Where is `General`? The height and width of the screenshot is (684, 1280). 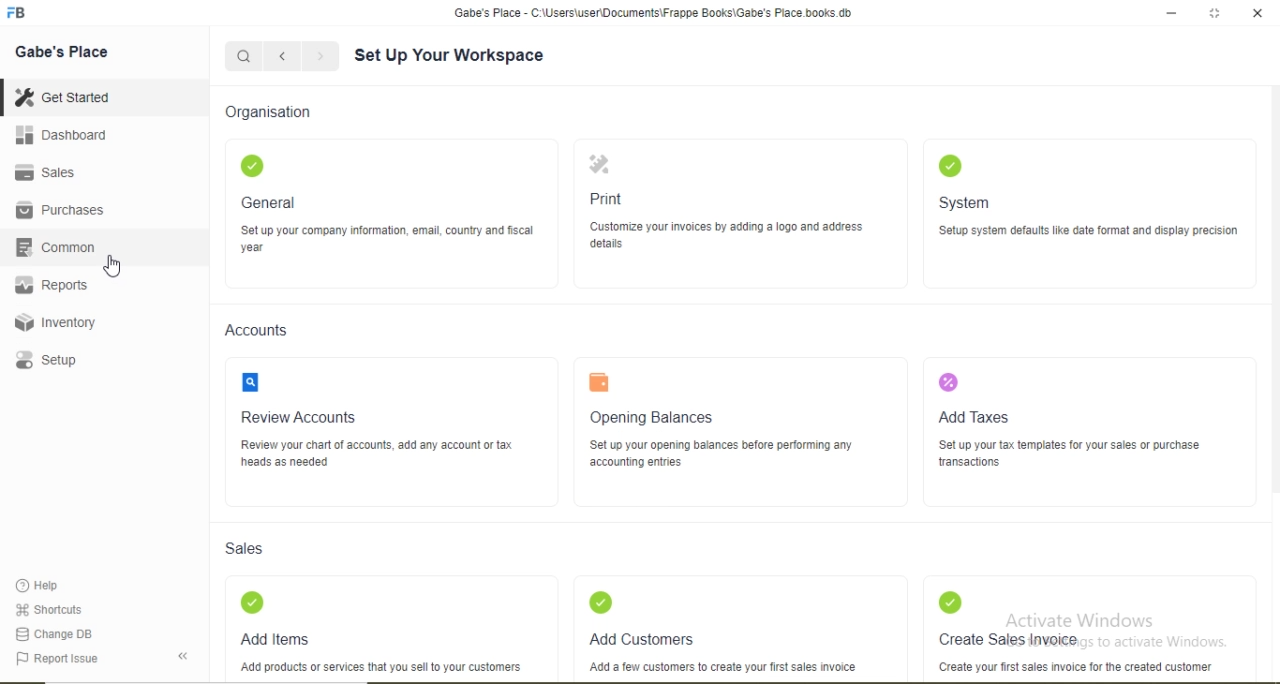 General is located at coordinates (269, 202).